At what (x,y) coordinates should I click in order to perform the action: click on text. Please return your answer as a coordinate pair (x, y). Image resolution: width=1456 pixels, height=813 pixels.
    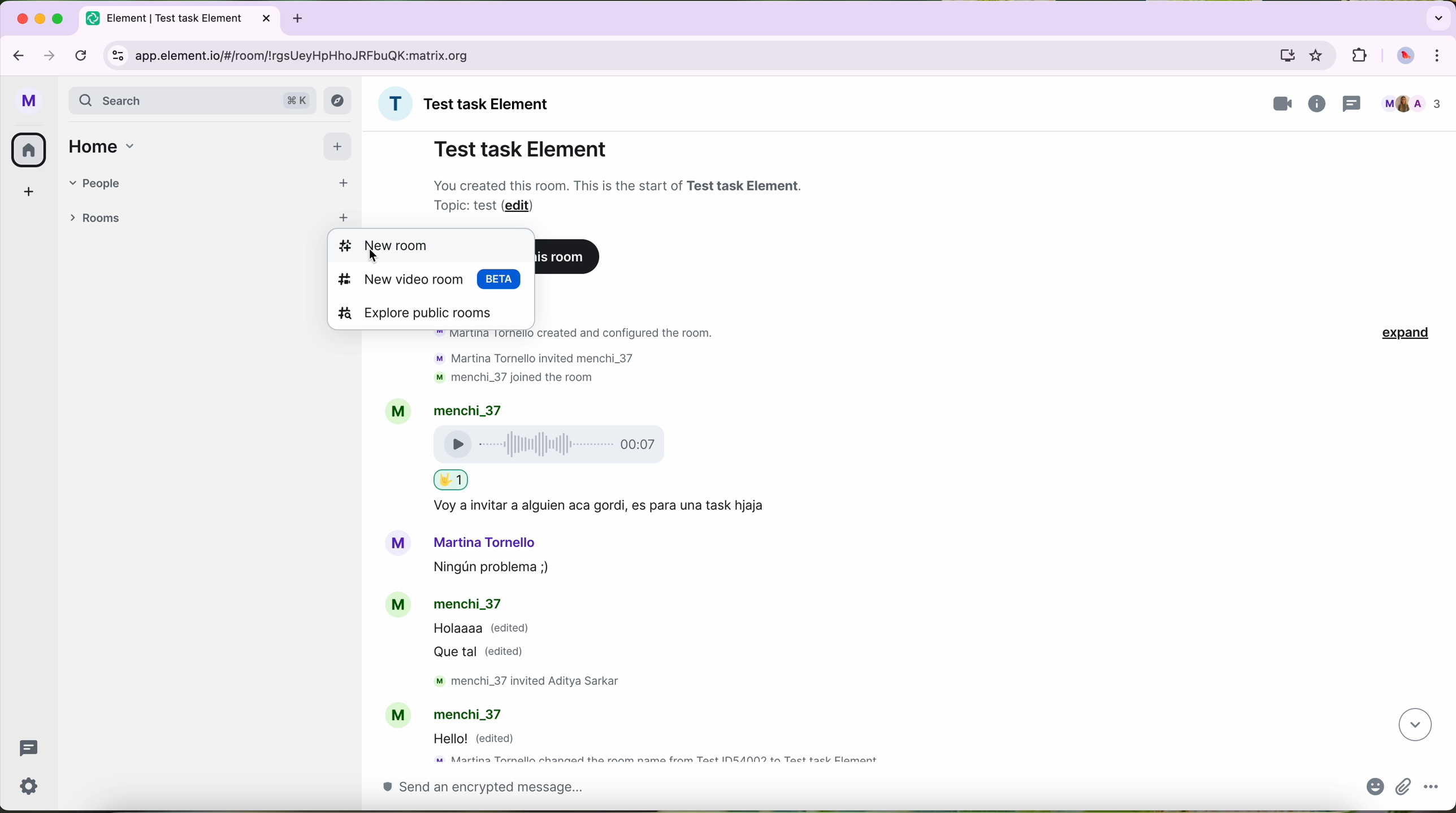
    Looking at the image, I should click on (547, 356).